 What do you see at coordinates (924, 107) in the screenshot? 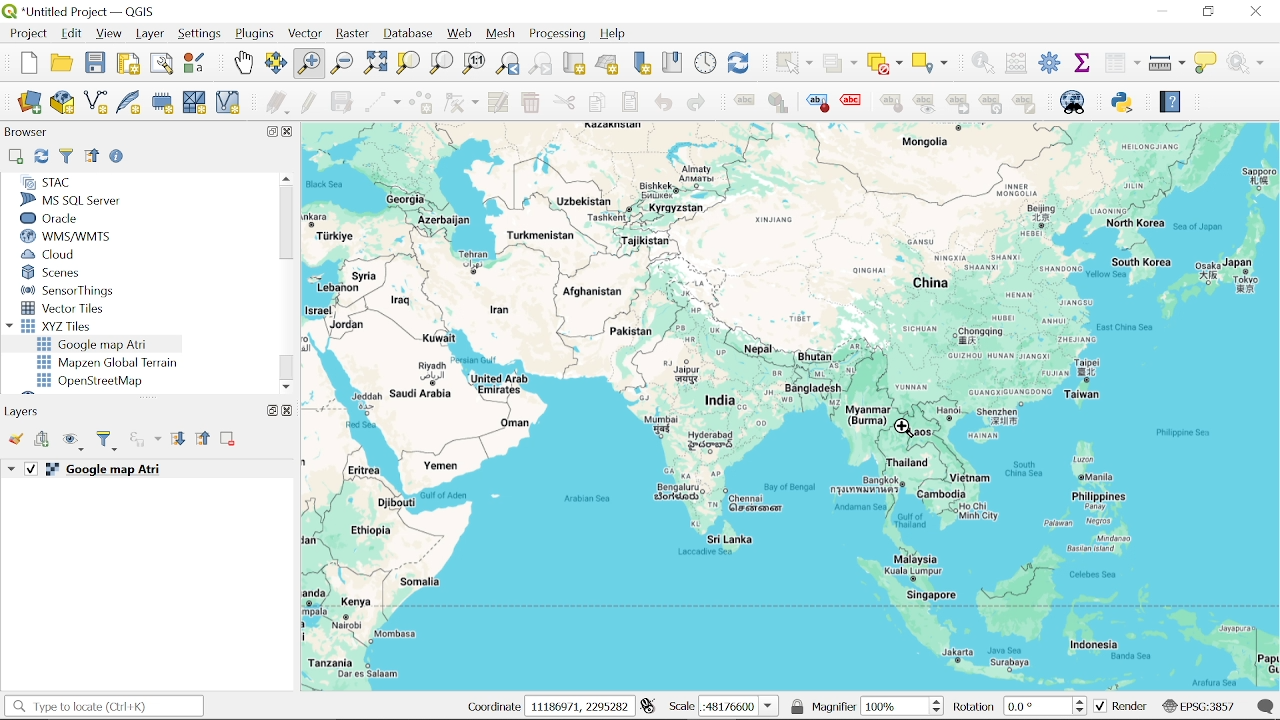
I see `Show/hide label and diagrams` at bounding box center [924, 107].